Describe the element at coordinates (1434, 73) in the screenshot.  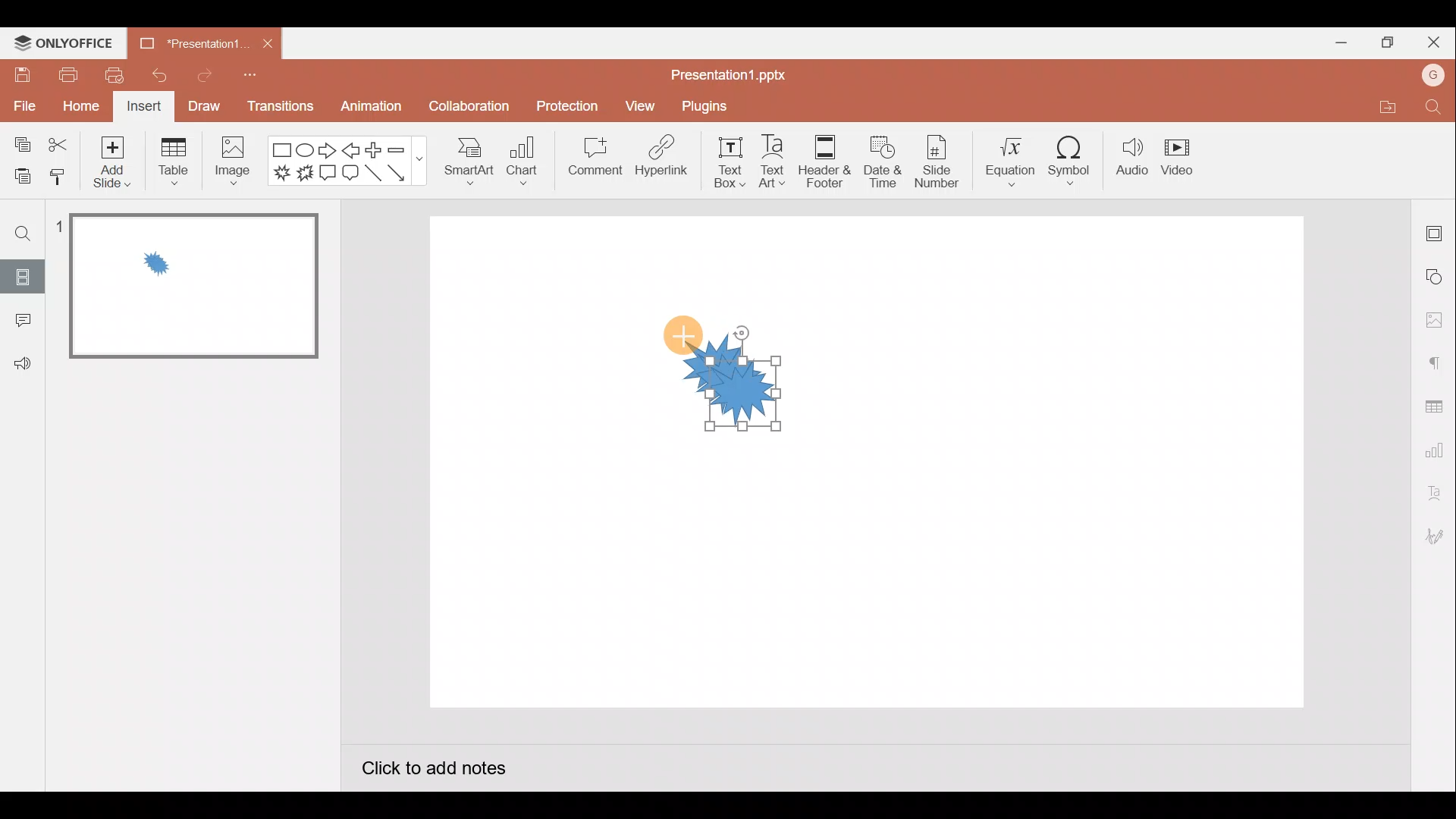
I see `G` at that location.